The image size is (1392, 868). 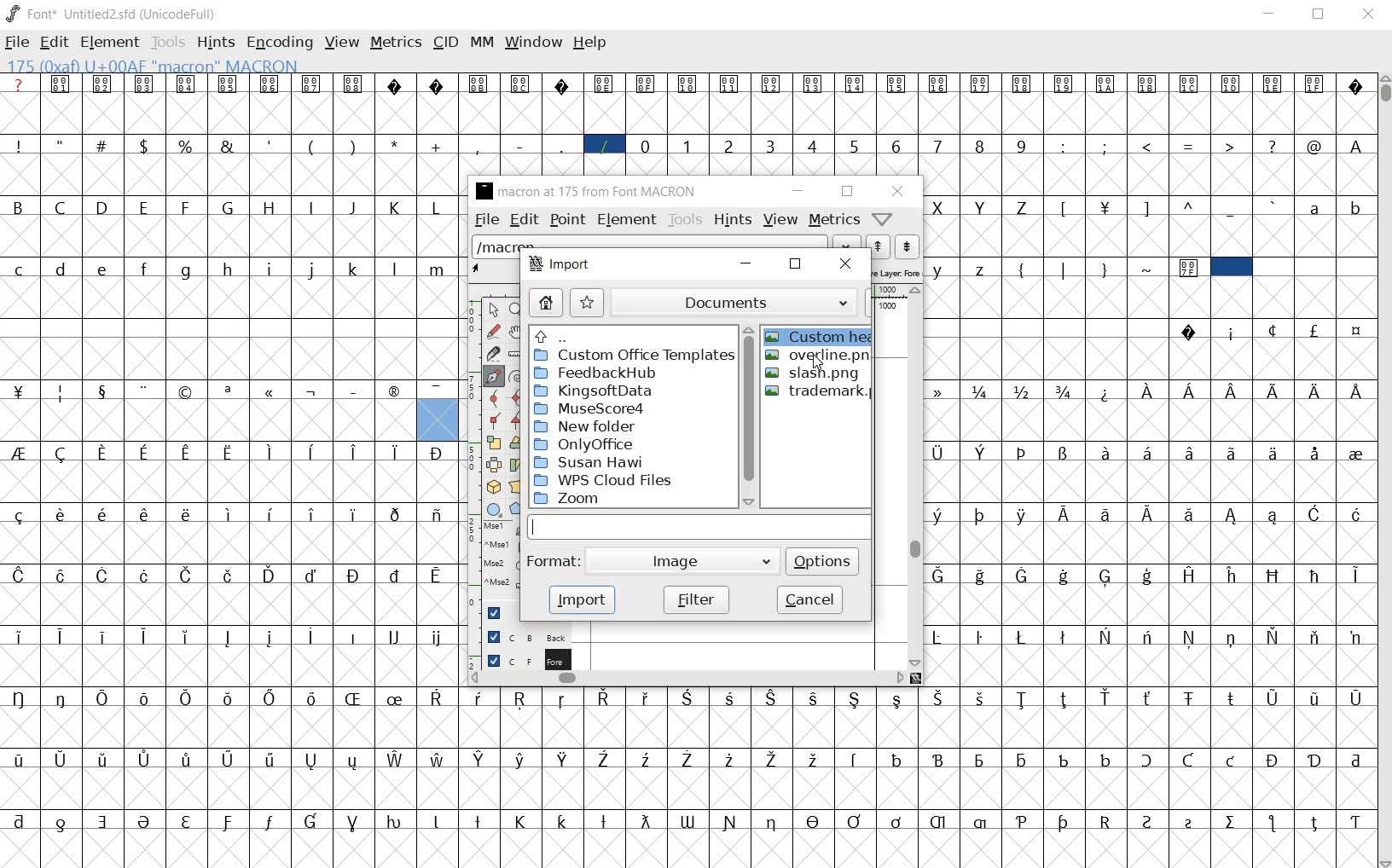 What do you see at coordinates (230, 638) in the screenshot?
I see `Symbol` at bounding box center [230, 638].